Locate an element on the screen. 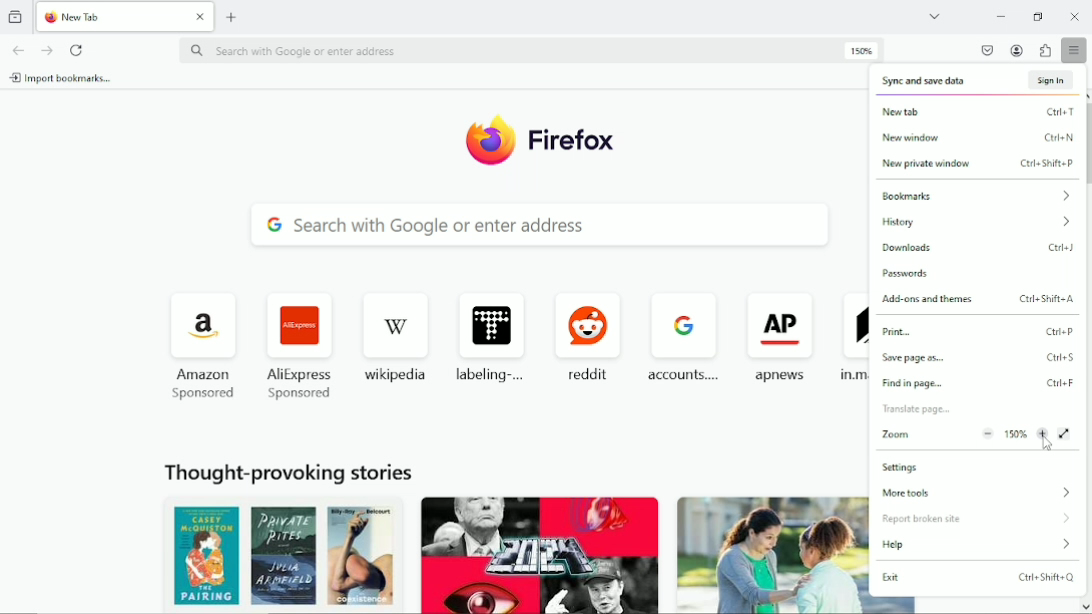  Bookmarks is located at coordinates (972, 197).